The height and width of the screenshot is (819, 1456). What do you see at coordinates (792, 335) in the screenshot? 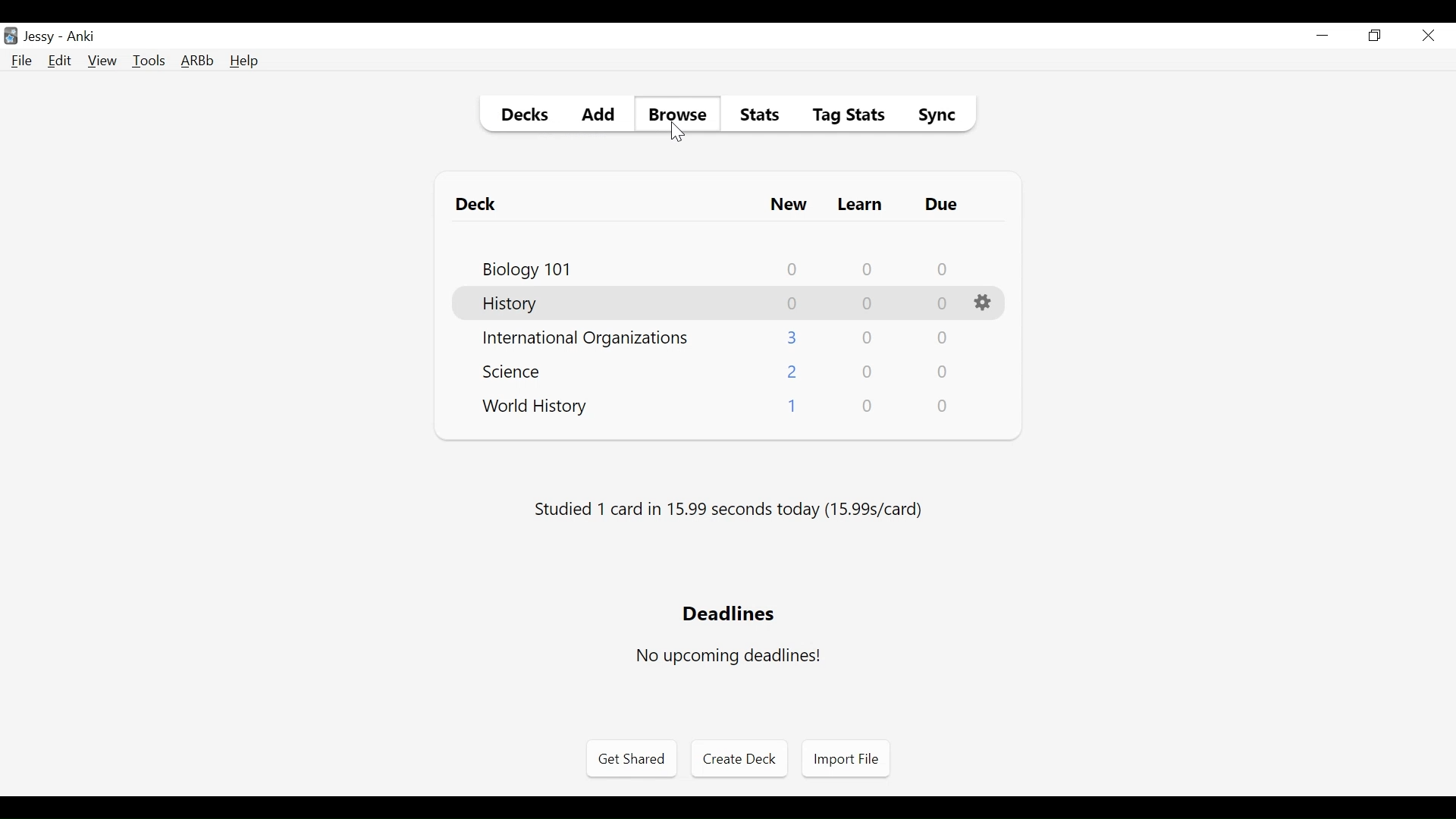
I see `New Card Count` at bounding box center [792, 335].